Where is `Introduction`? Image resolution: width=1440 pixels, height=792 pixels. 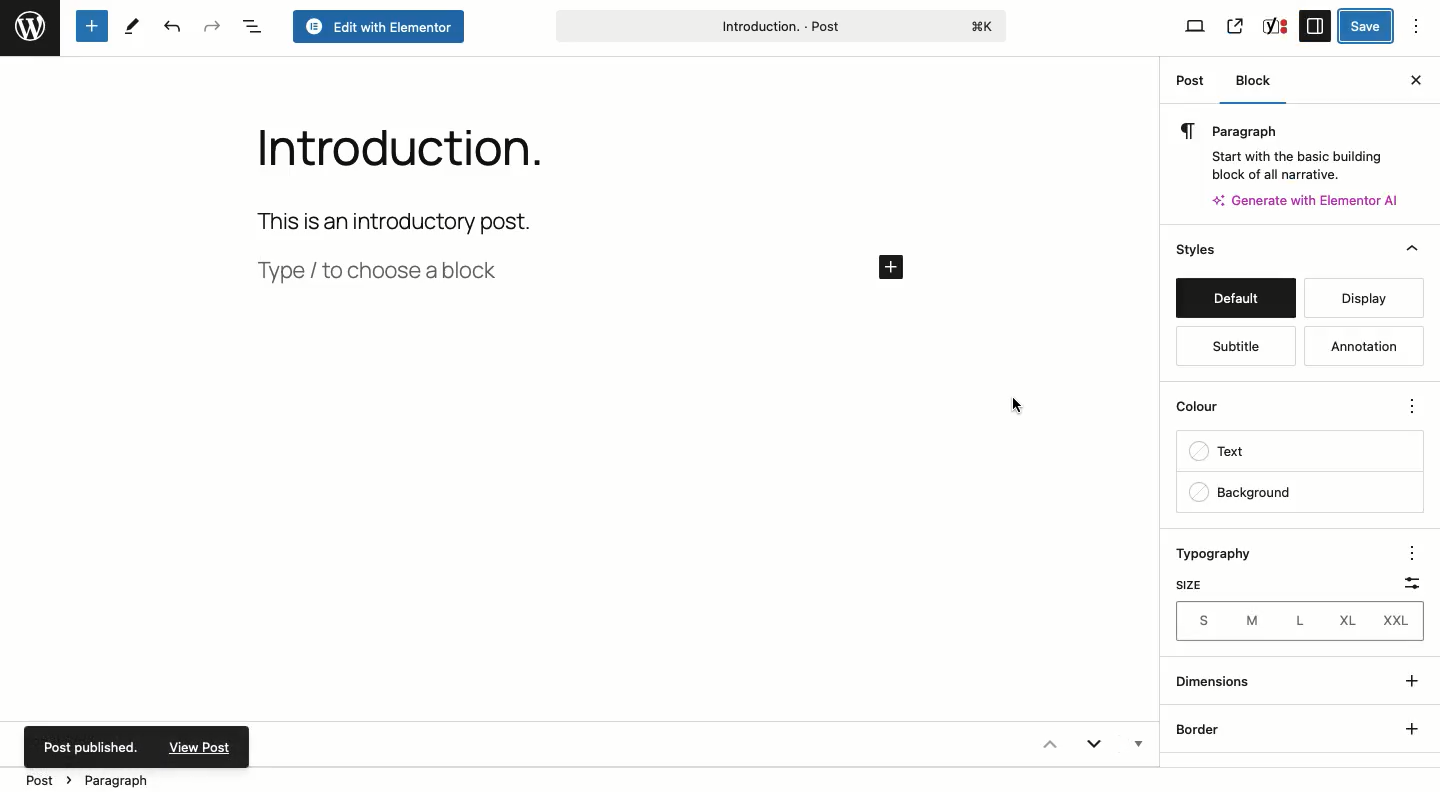
Introduction is located at coordinates (385, 143).